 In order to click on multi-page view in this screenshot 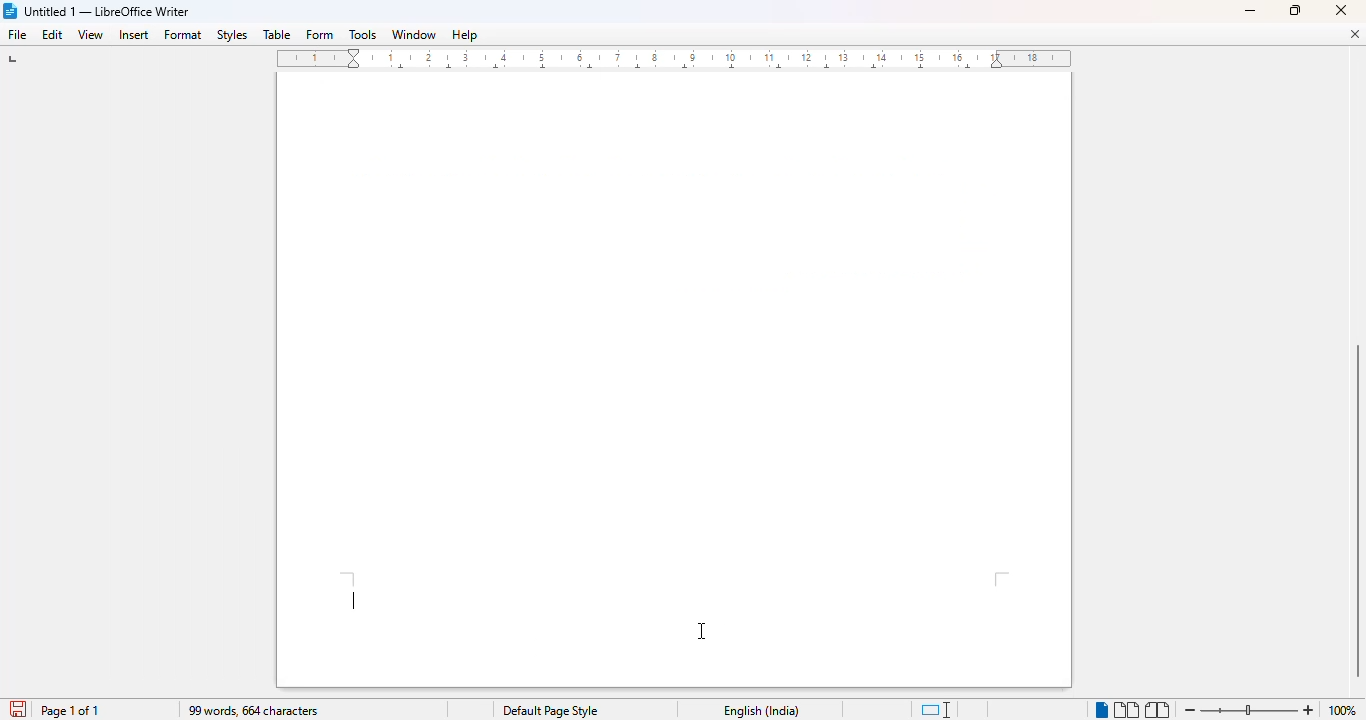, I will do `click(1126, 710)`.